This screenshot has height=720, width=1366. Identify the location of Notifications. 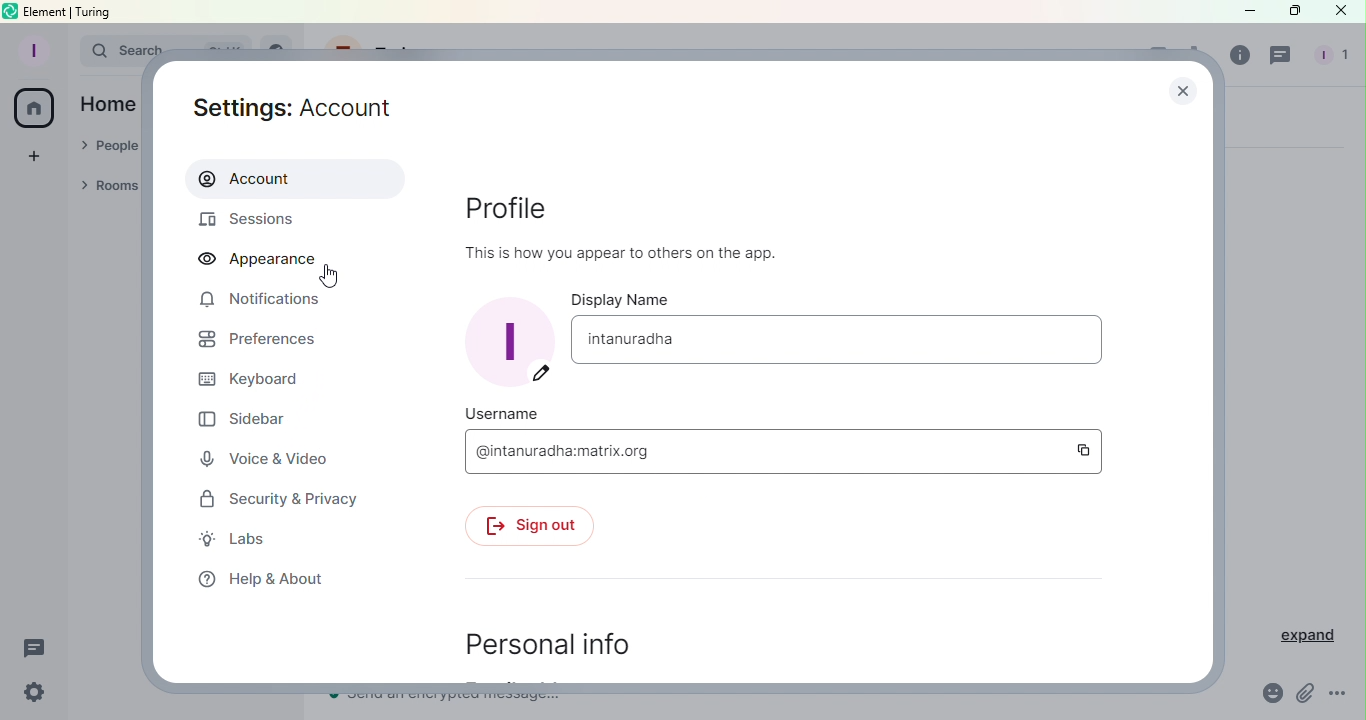
(261, 303).